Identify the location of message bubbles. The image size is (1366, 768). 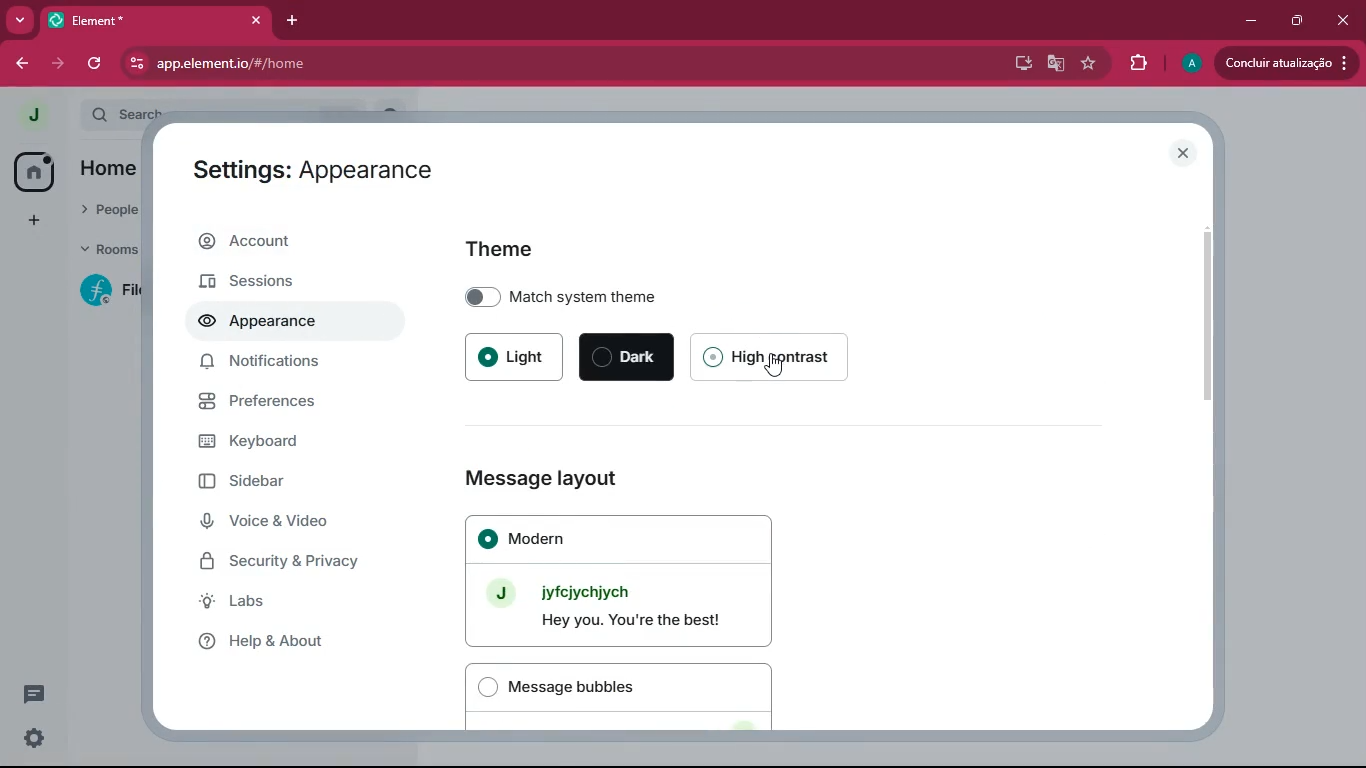
(631, 694).